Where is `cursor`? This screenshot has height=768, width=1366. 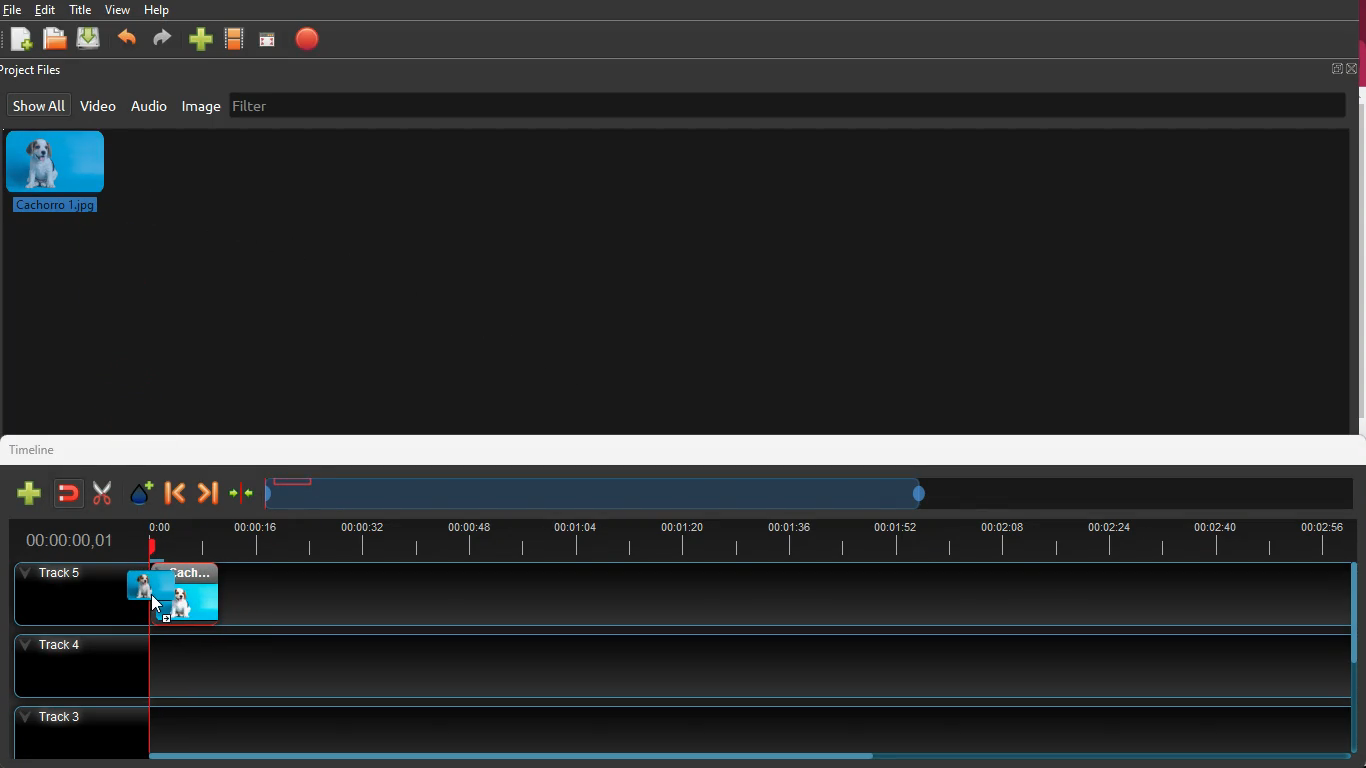
cursor is located at coordinates (176, 605).